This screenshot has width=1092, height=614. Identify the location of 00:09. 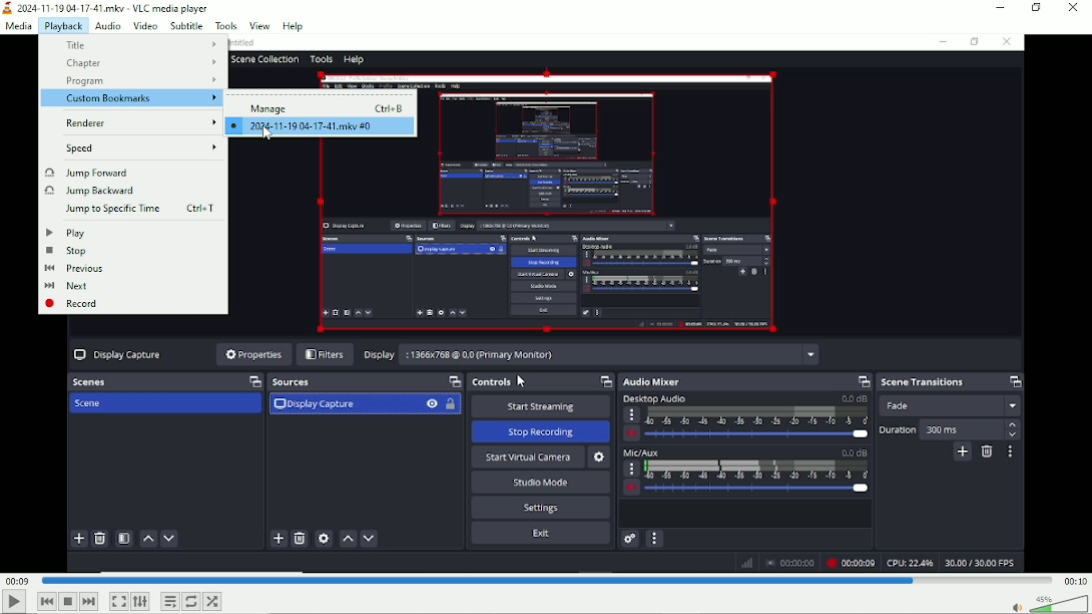
(18, 580).